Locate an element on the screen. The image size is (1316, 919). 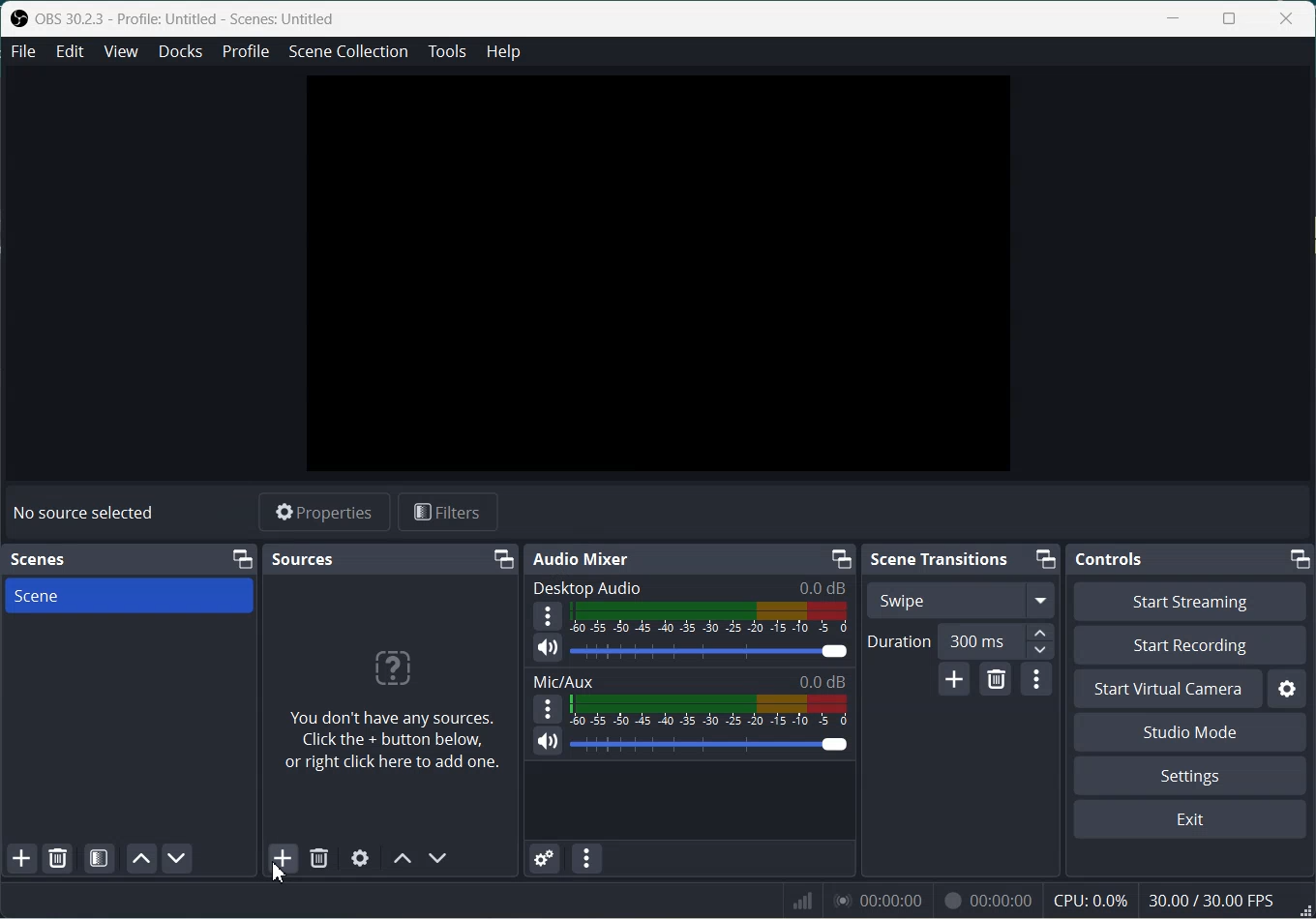
Tools is located at coordinates (448, 51).